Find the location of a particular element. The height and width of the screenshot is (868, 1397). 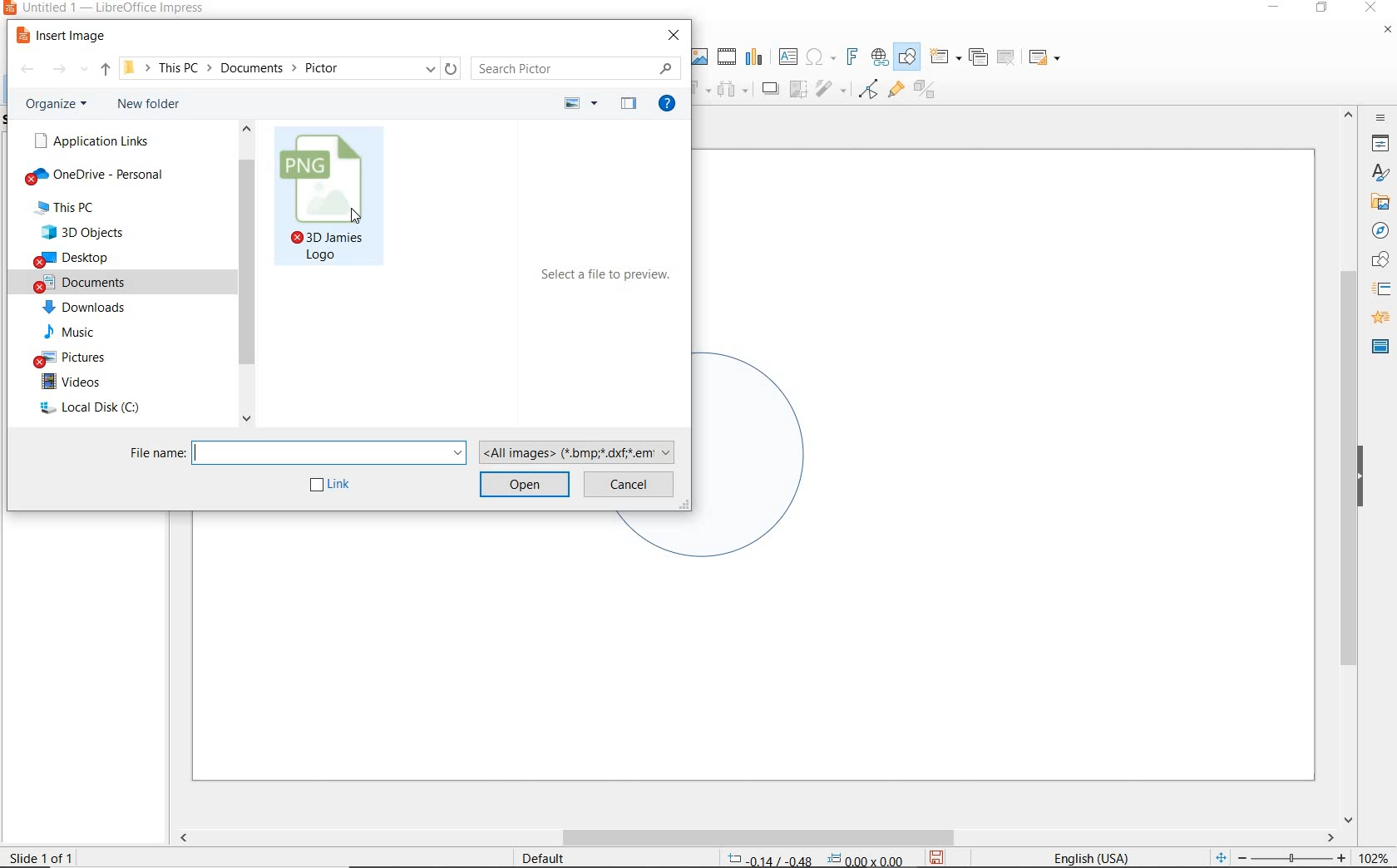

coordinates is located at coordinates (813, 860).